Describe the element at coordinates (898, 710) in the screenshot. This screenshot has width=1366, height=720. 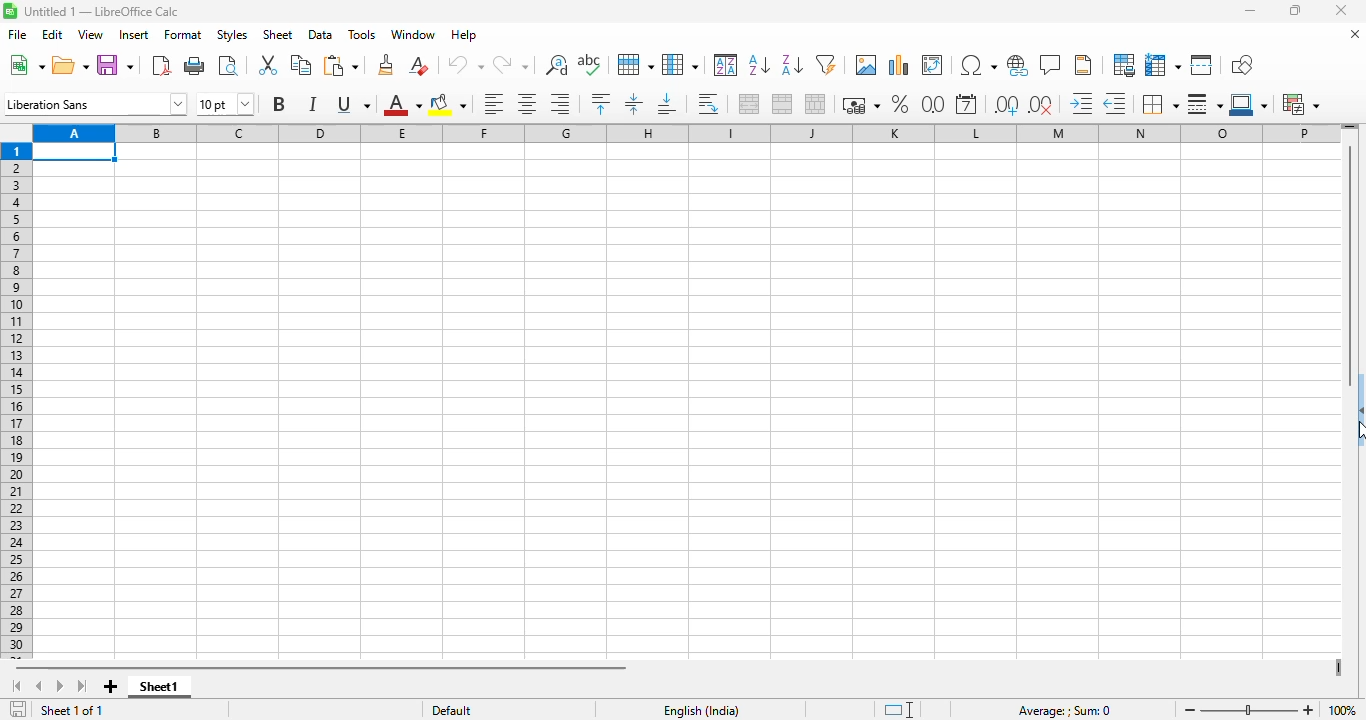
I see `standard selection` at that location.